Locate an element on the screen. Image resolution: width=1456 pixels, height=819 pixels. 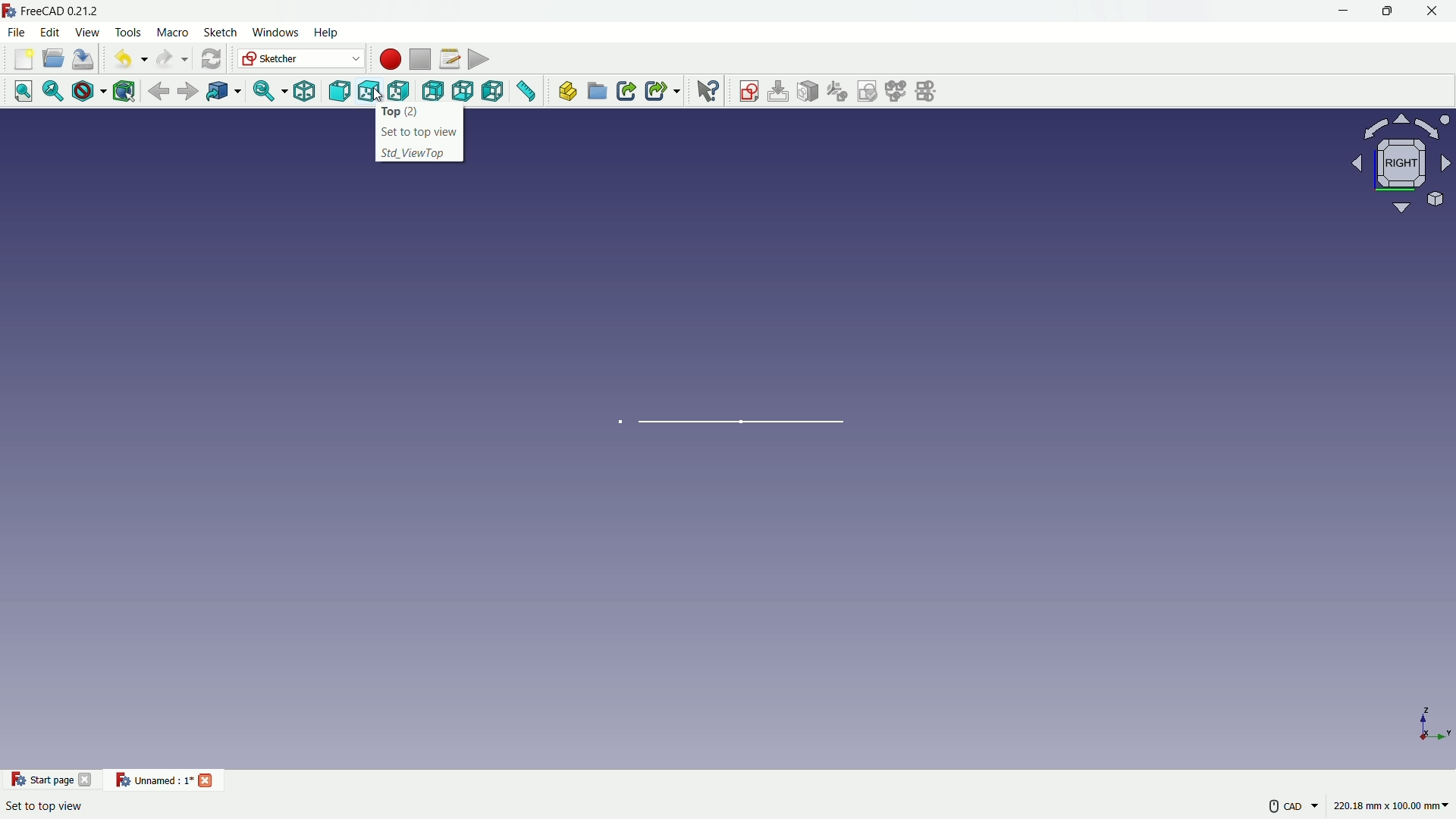
map sketch to face is located at coordinates (809, 92).